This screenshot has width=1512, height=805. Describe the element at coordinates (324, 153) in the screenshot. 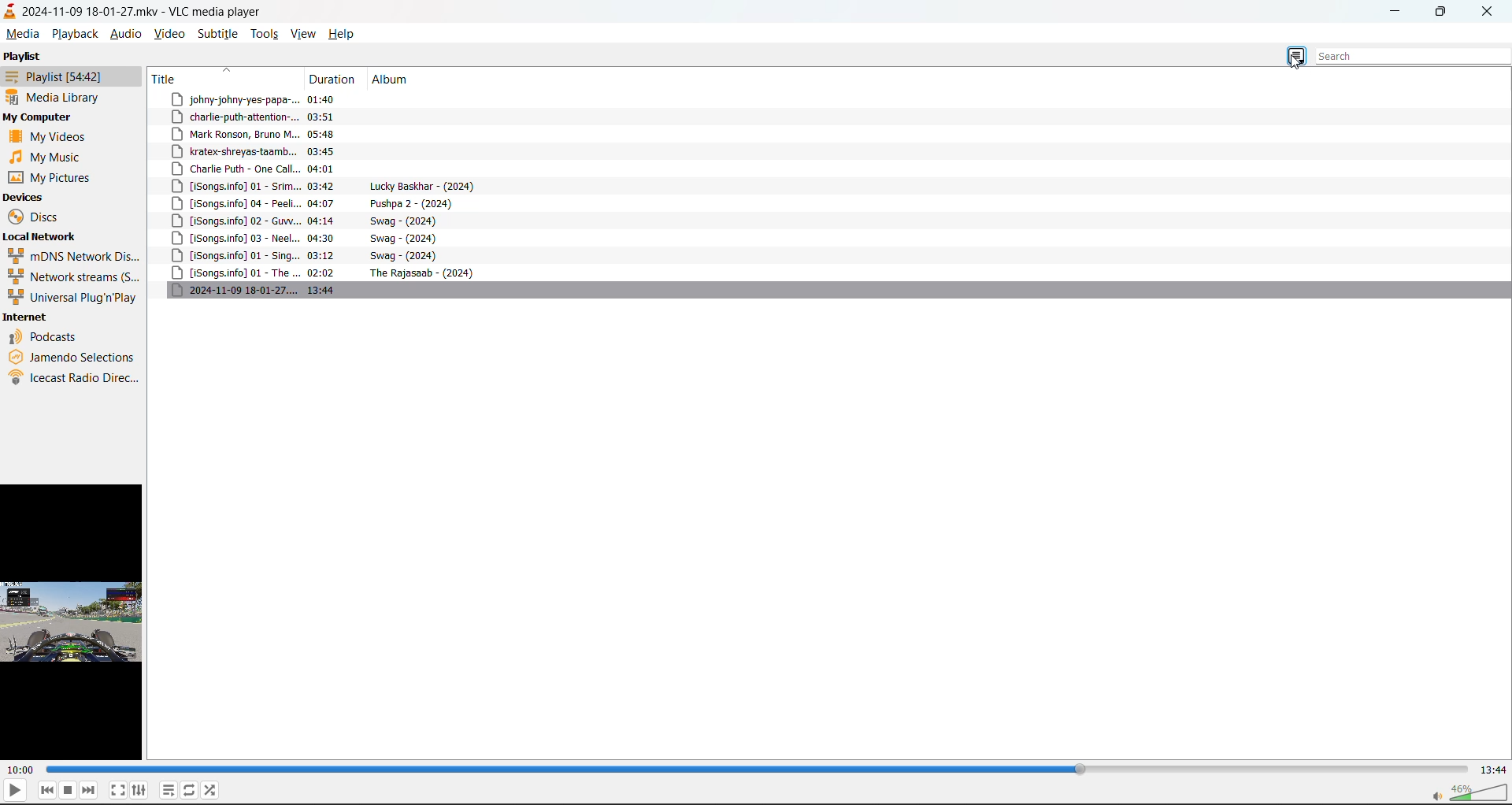

I see `track title, duration and album` at that location.